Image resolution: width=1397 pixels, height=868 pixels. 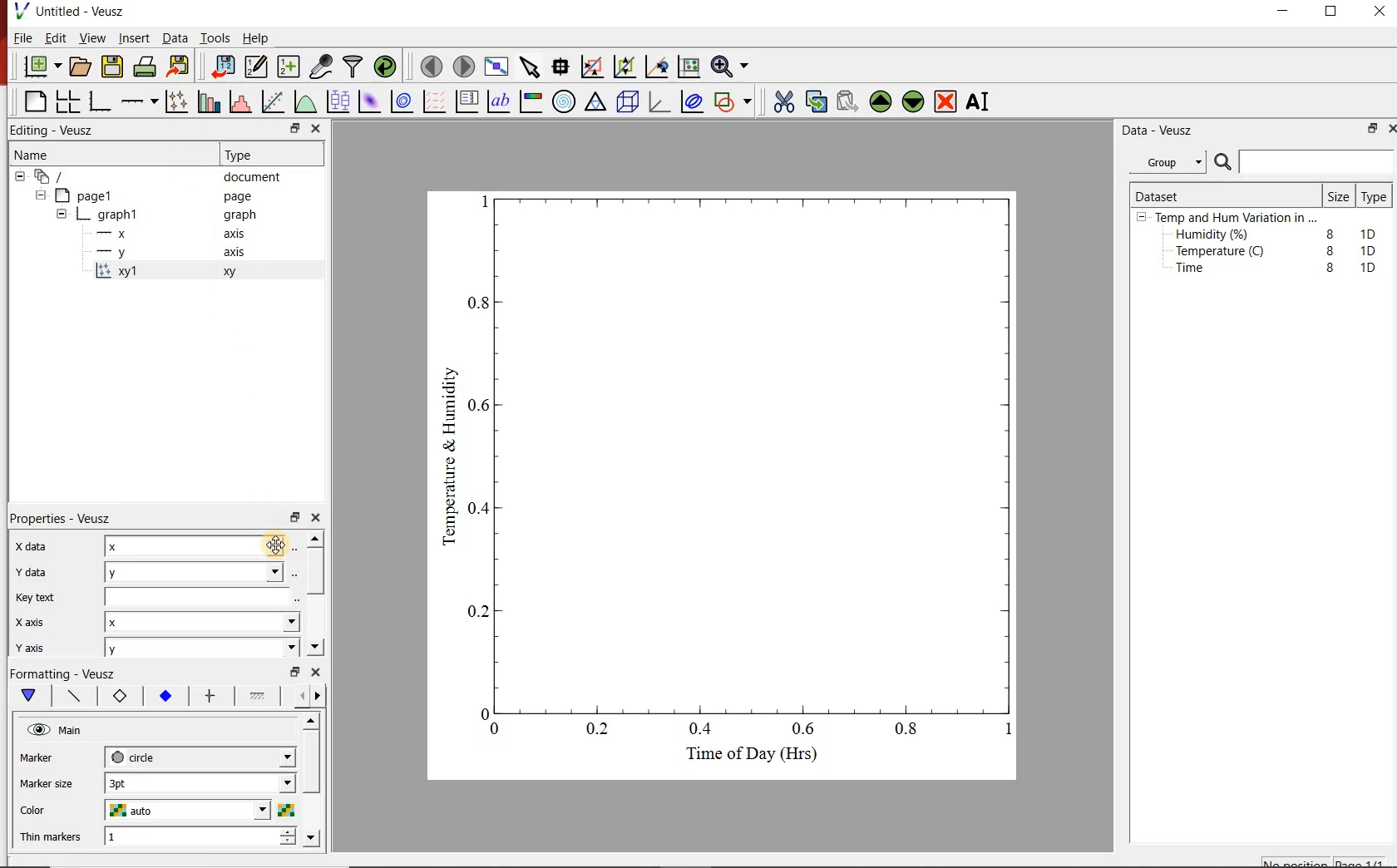 I want to click on add a shape to the plot, so click(x=737, y=104).